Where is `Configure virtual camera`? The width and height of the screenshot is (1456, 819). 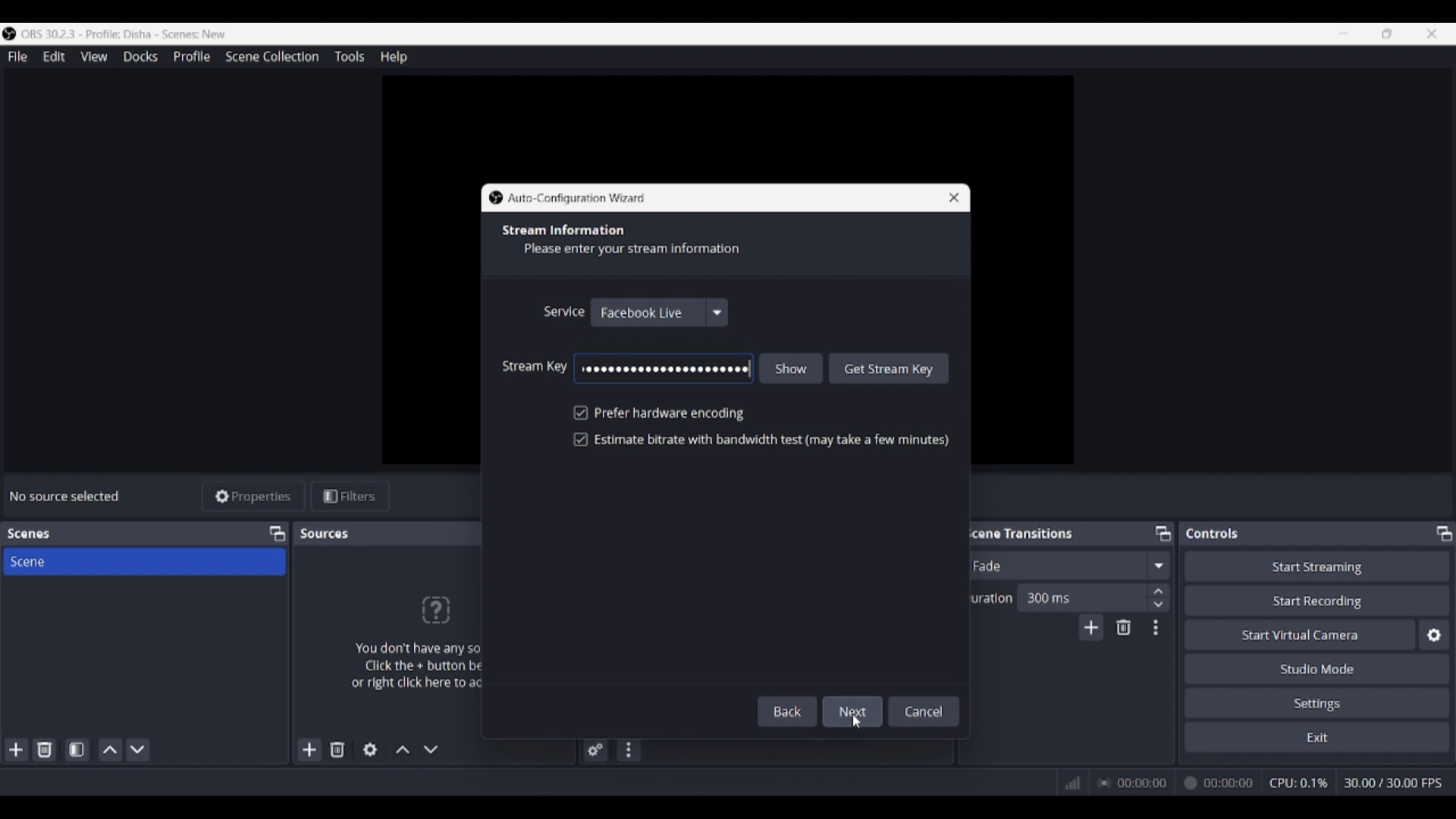
Configure virtual camera is located at coordinates (1434, 635).